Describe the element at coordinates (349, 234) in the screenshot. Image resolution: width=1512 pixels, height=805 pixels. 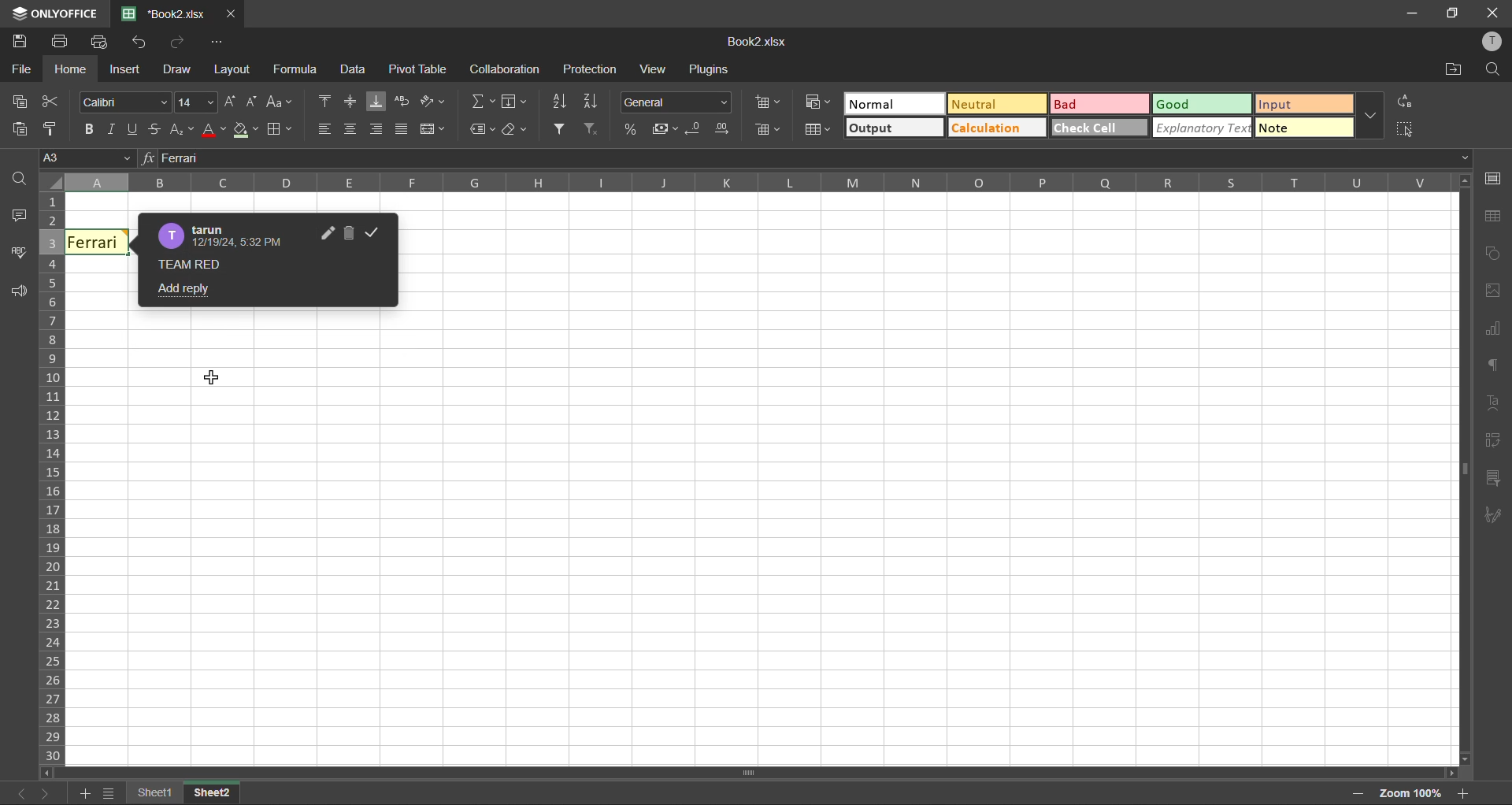
I see `delete comment` at that location.